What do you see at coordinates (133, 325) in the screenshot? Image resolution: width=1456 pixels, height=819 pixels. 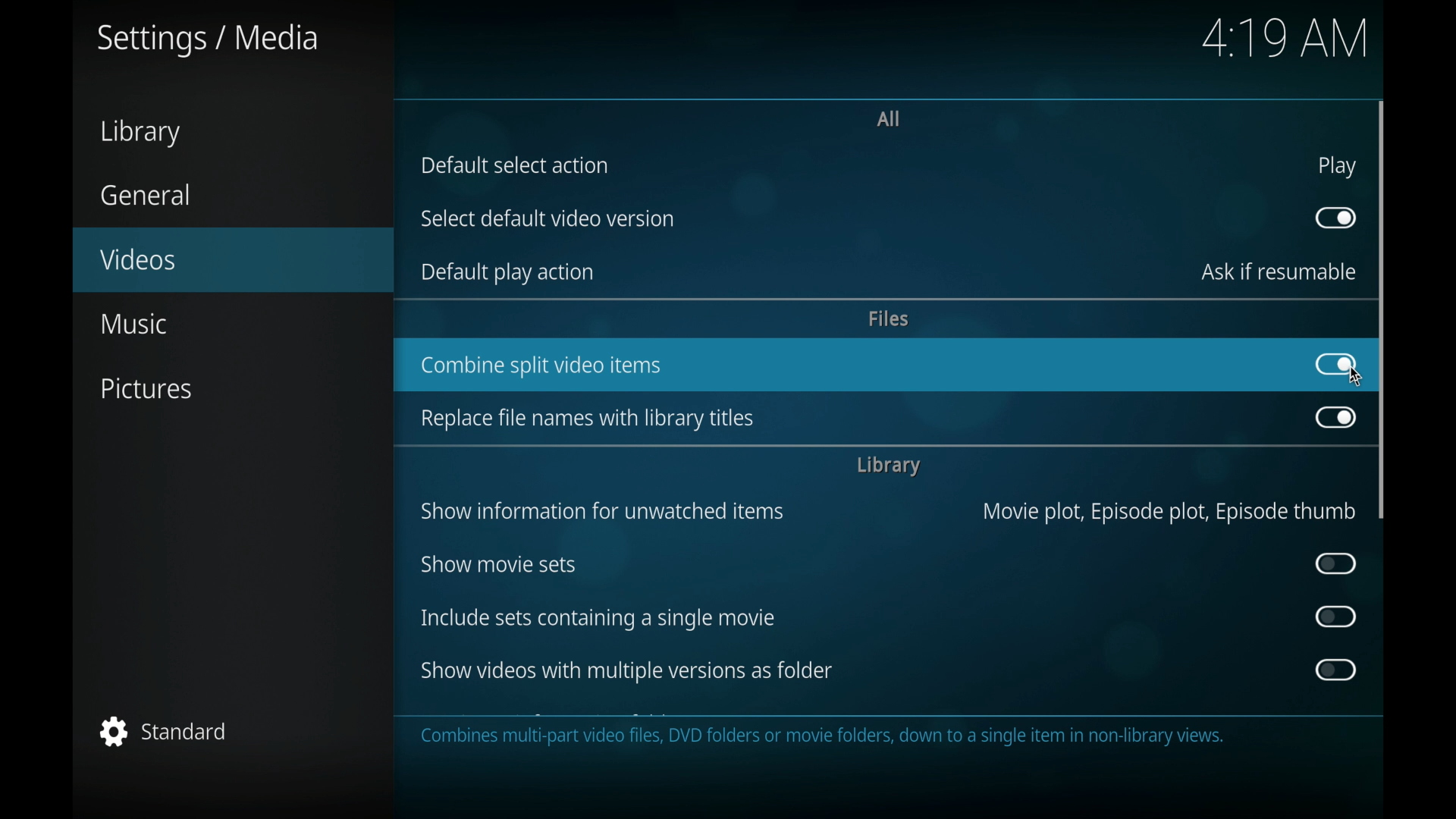 I see `music` at bounding box center [133, 325].